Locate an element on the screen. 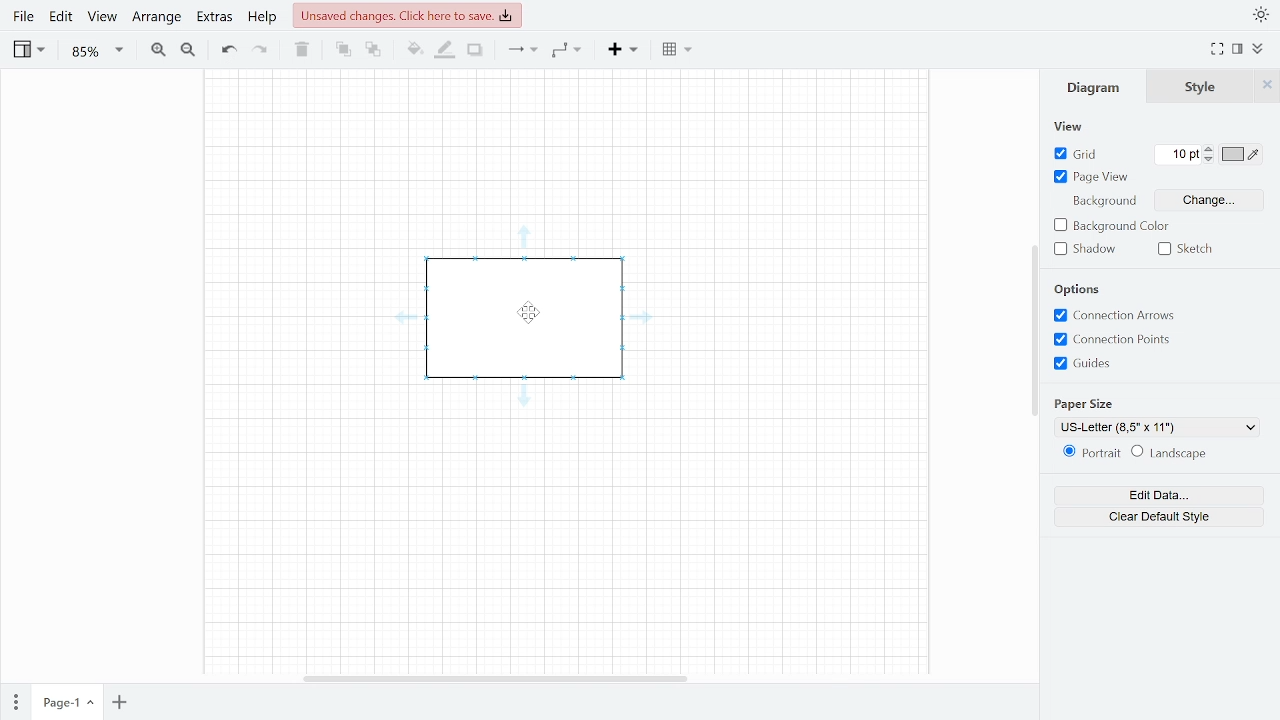 The height and width of the screenshot is (720, 1280). Background is located at coordinates (1104, 202).